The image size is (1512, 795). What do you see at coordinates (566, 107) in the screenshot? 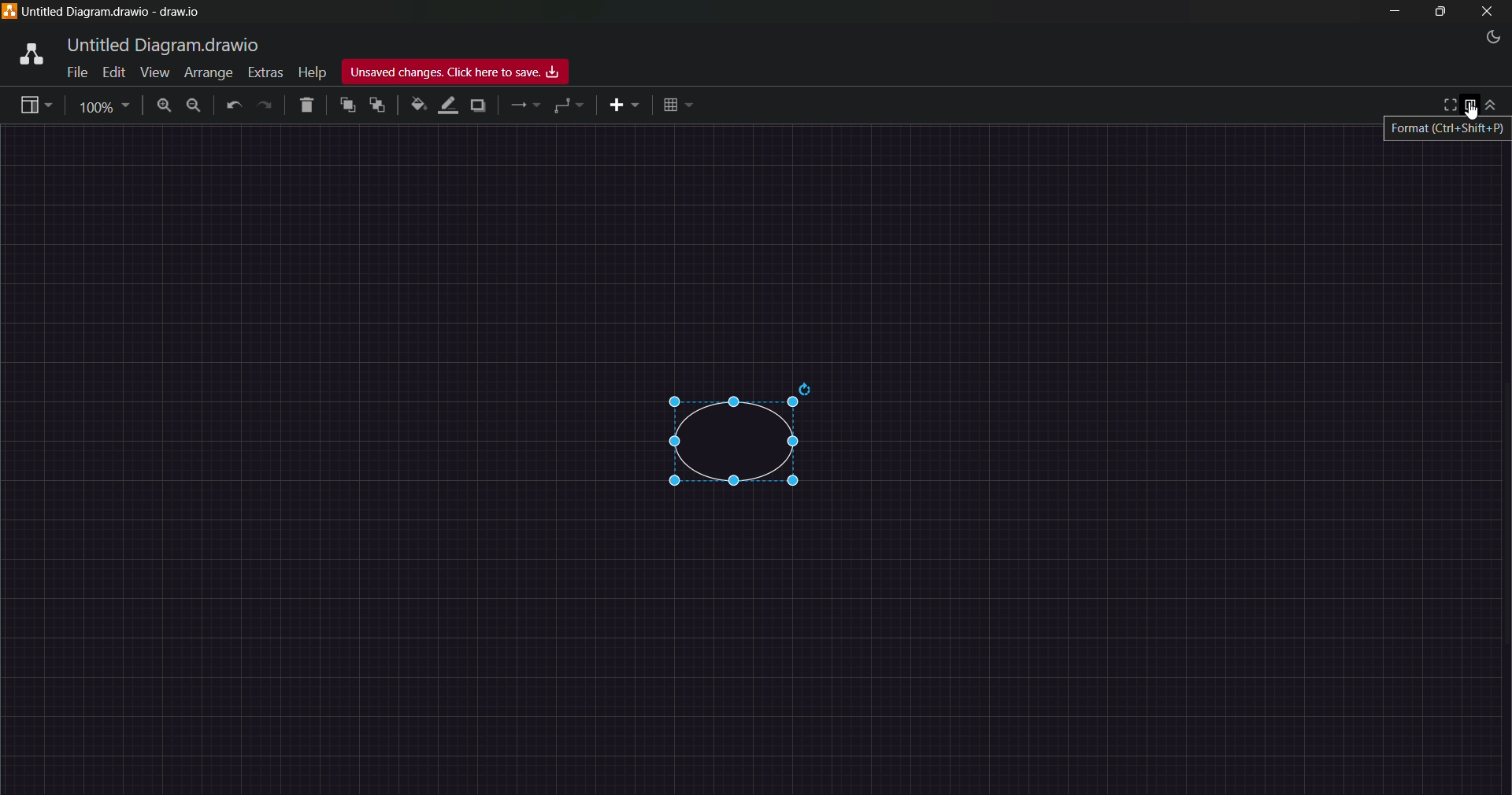
I see `waypoints` at bounding box center [566, 107].